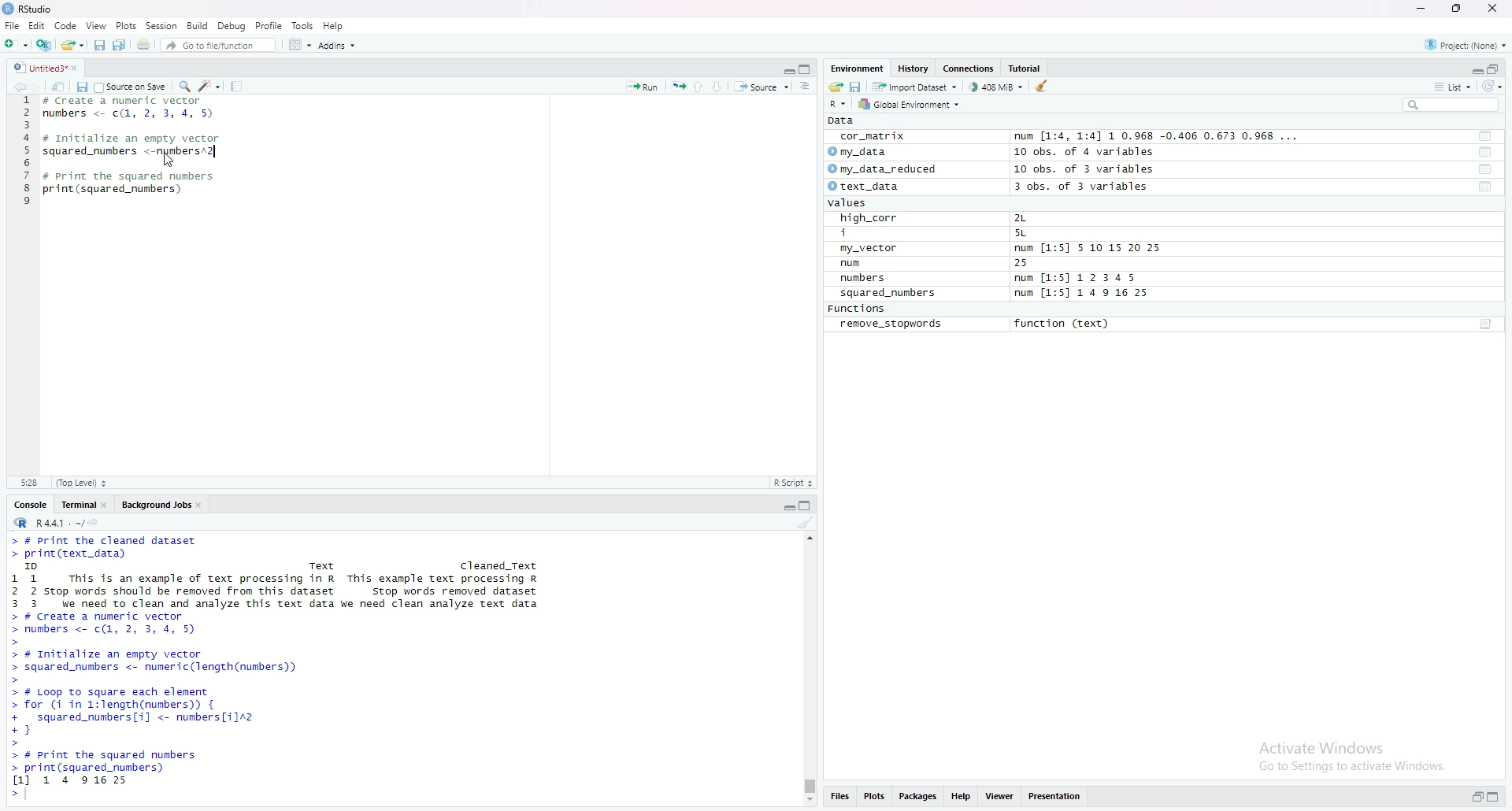  What do you see at coordinates (762, 86) in the screenshot?
I see `Source` at bounding box center [762, 86].